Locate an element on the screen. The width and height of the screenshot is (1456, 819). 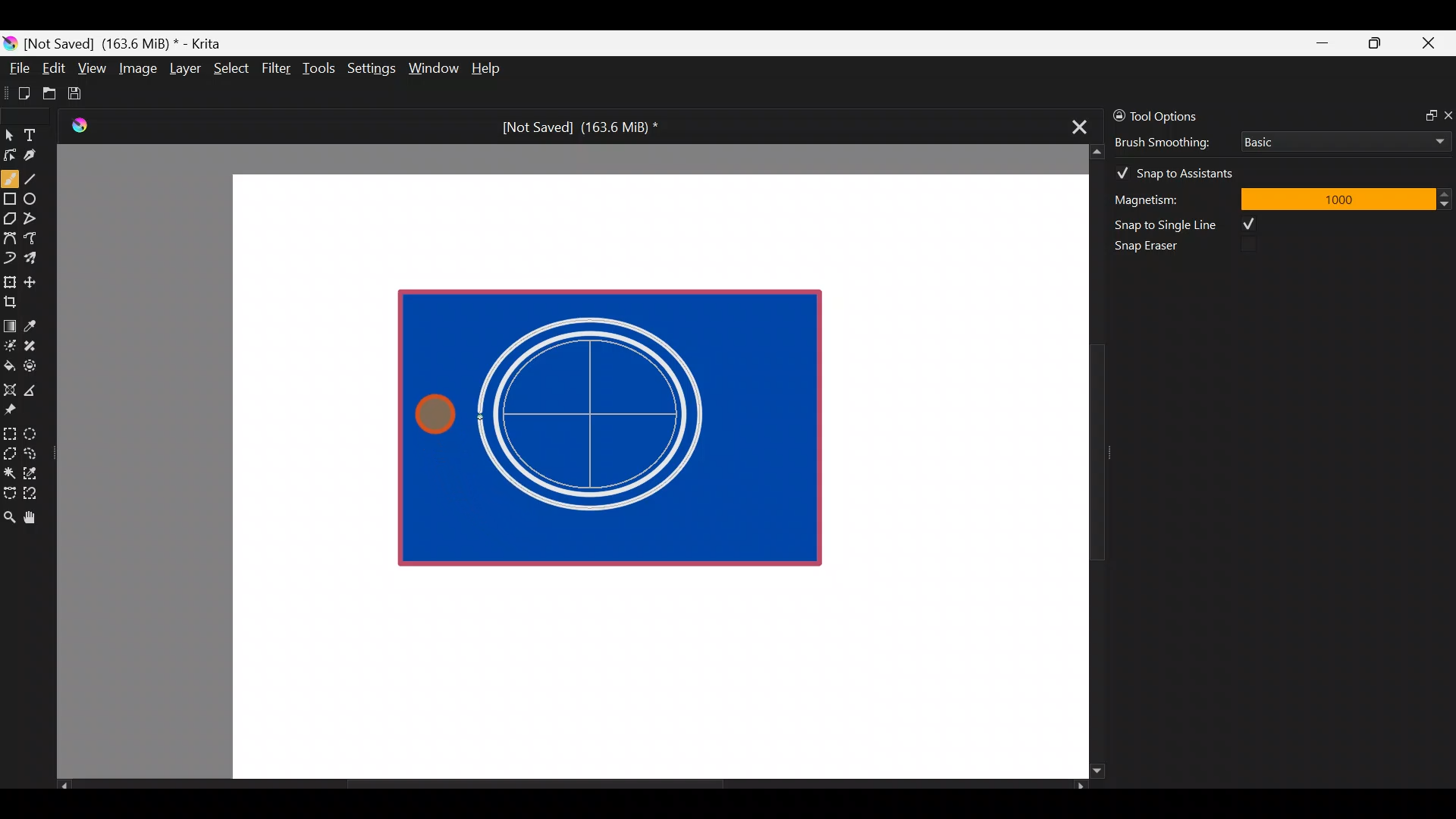
Move a layer is located at coordinates (35, 280).